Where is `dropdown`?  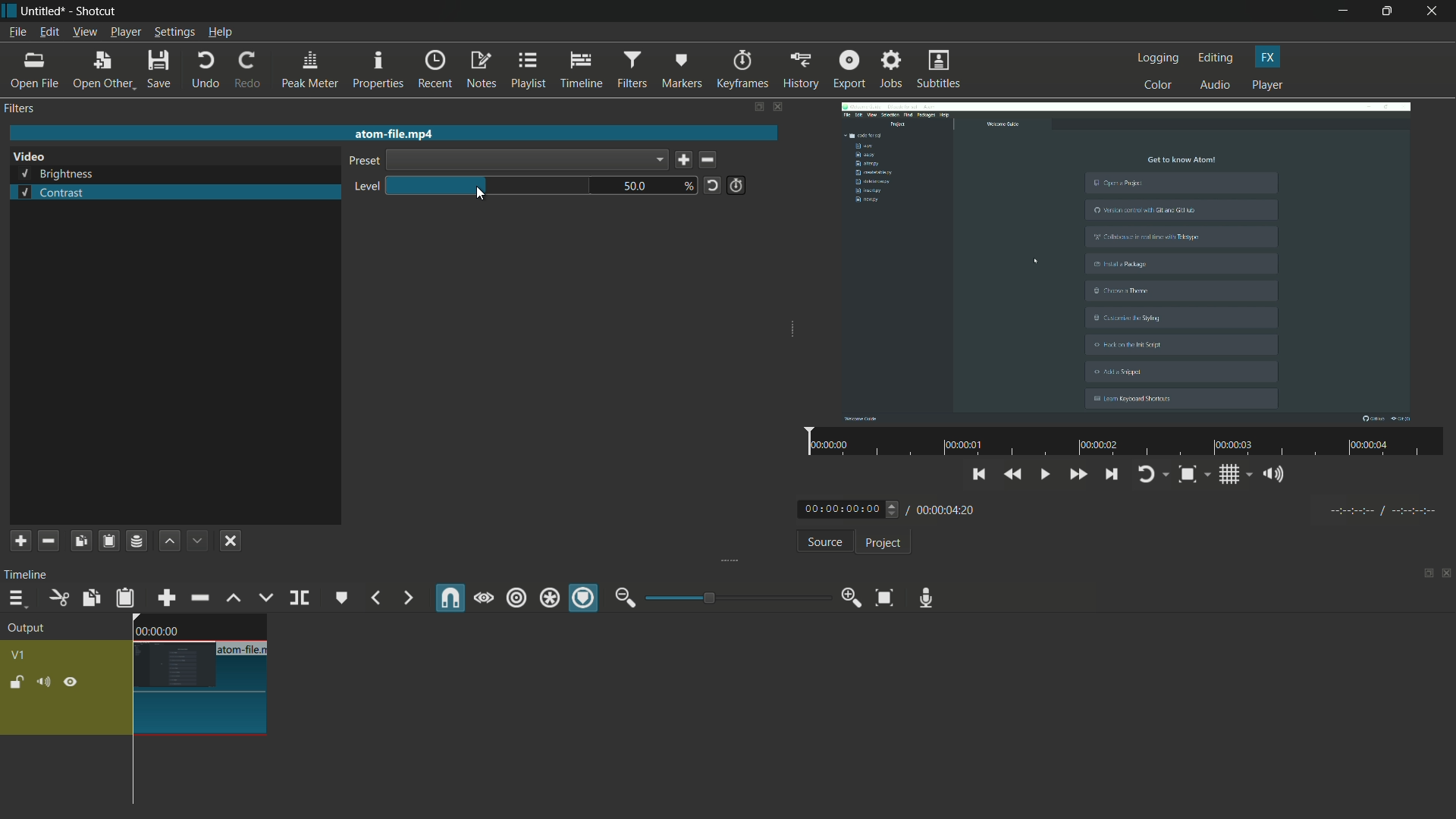 dropdown is located at coordinates (526, 160).